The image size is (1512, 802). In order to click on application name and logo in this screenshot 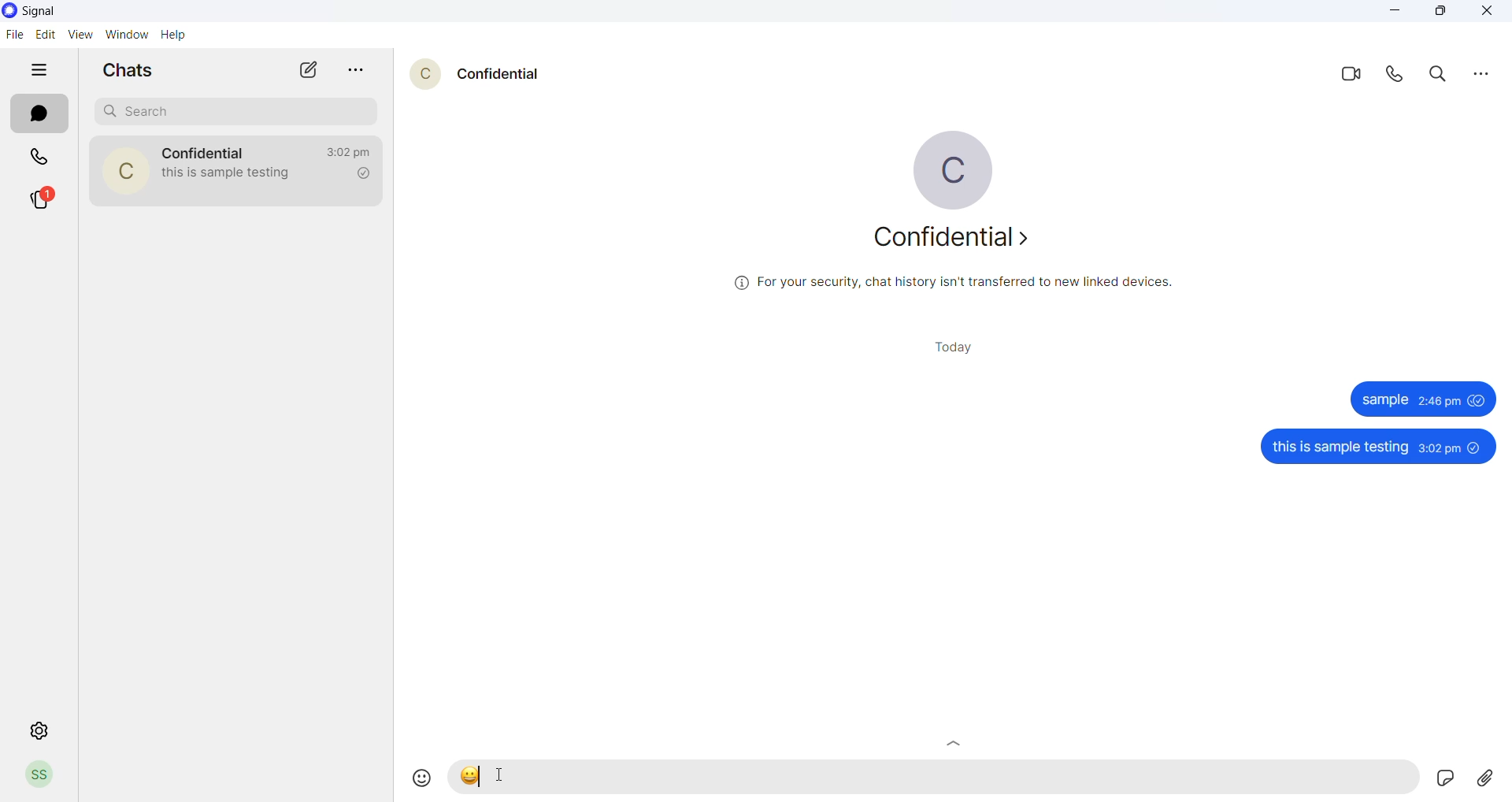, I will do `click(41, 13)`.